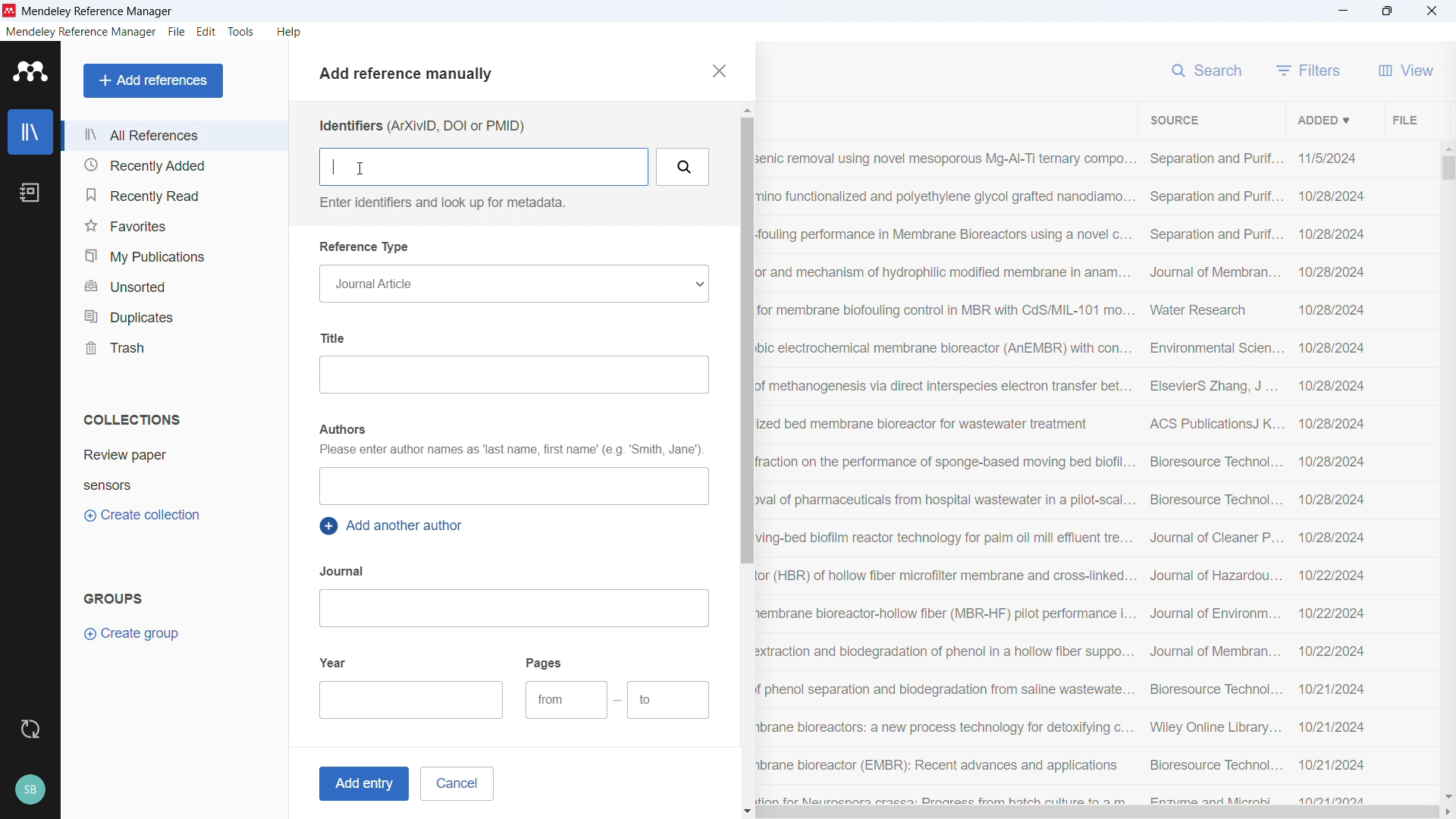  What do you see at coordinates (485, 166) in the screenshot?
I see `Box selected` at bounding box center [485, 166].